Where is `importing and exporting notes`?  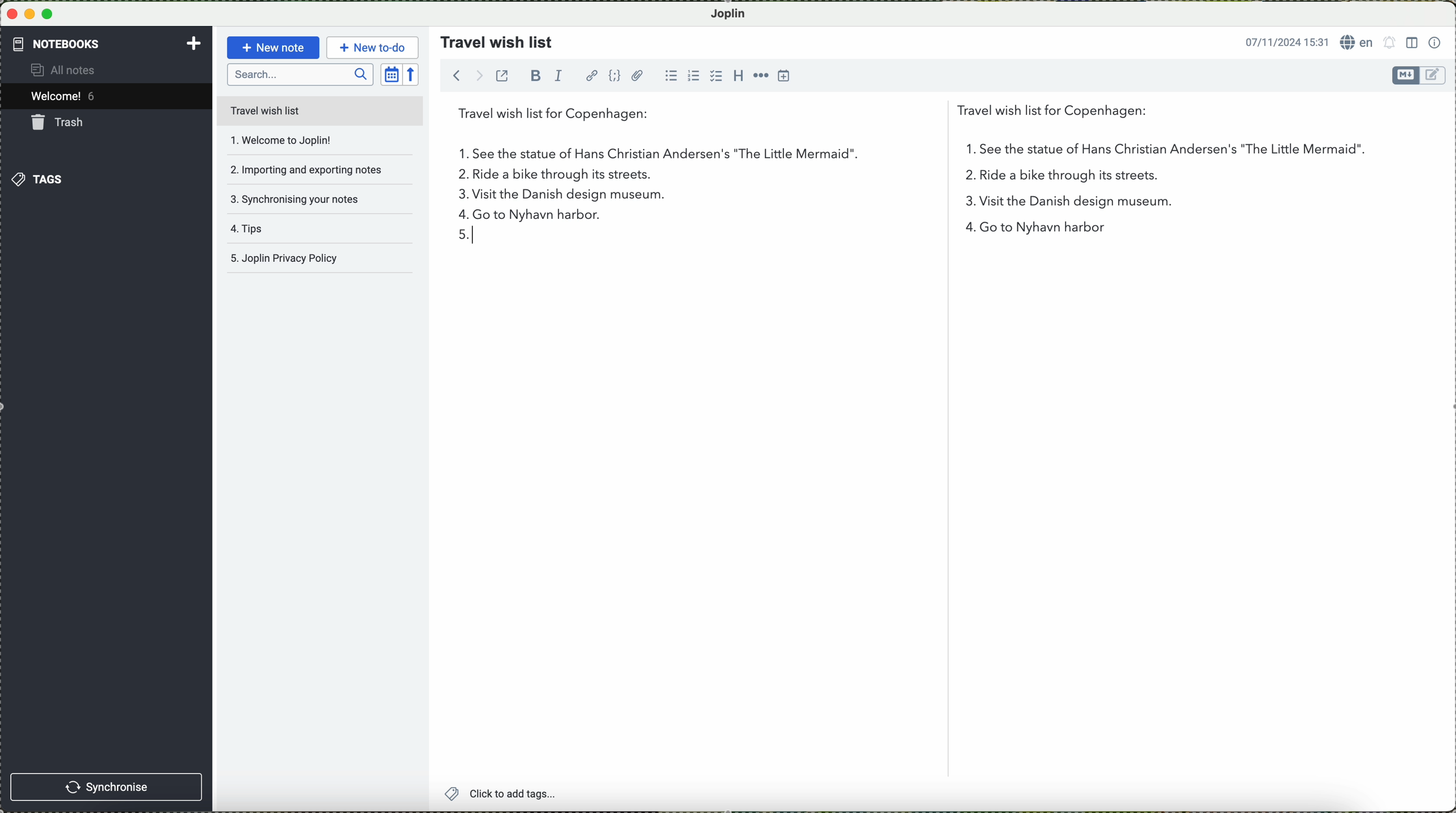
importing and exporting notes is located at coordinates (306, 168).